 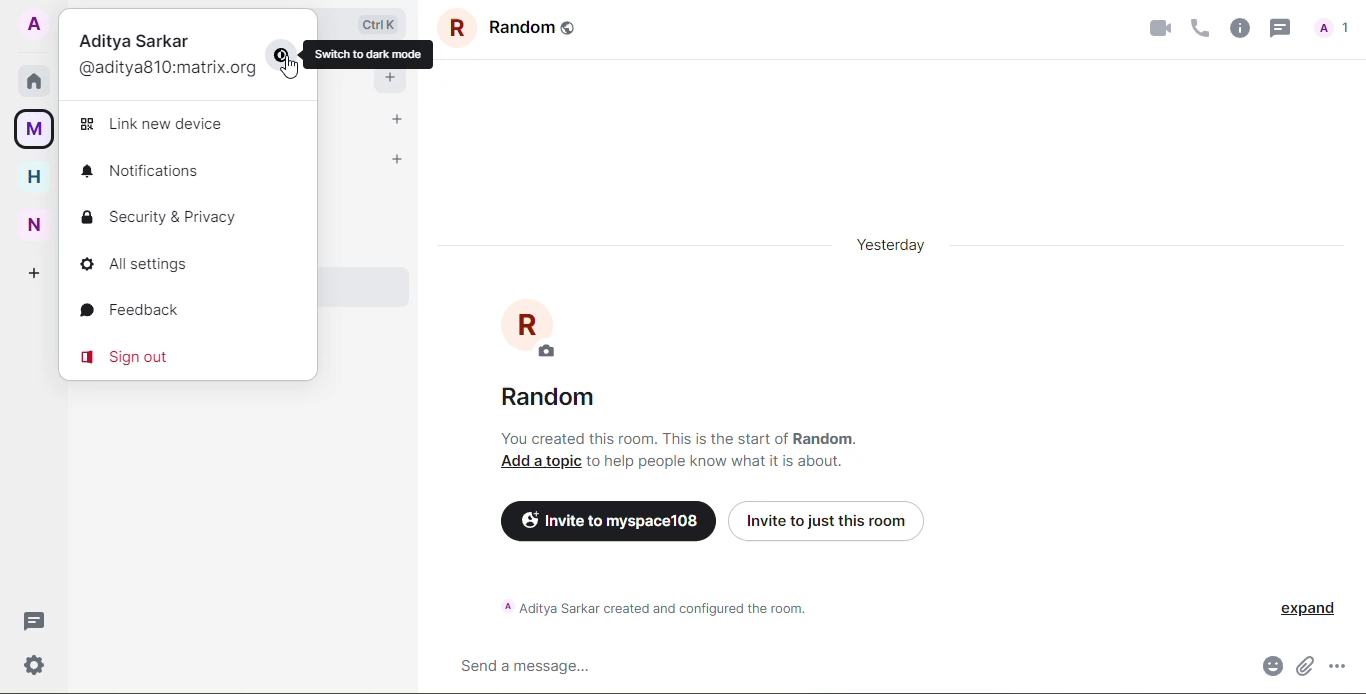 What do you see at coordinates (1196, 26) in the screenshot?
I see `voice call` at bounding box center [1196, 26].